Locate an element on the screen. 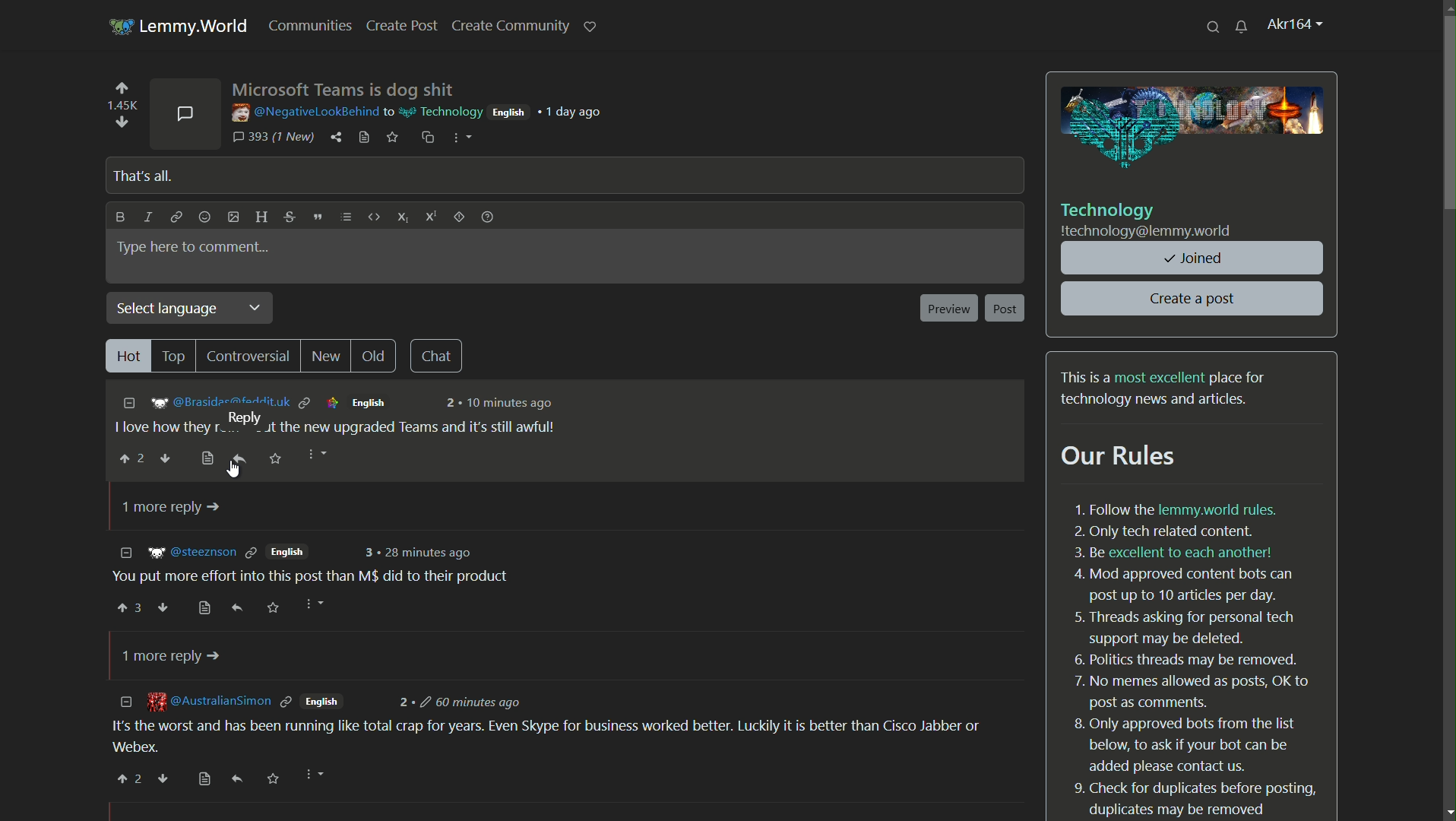  cursor is located at coordinates (233, 468).